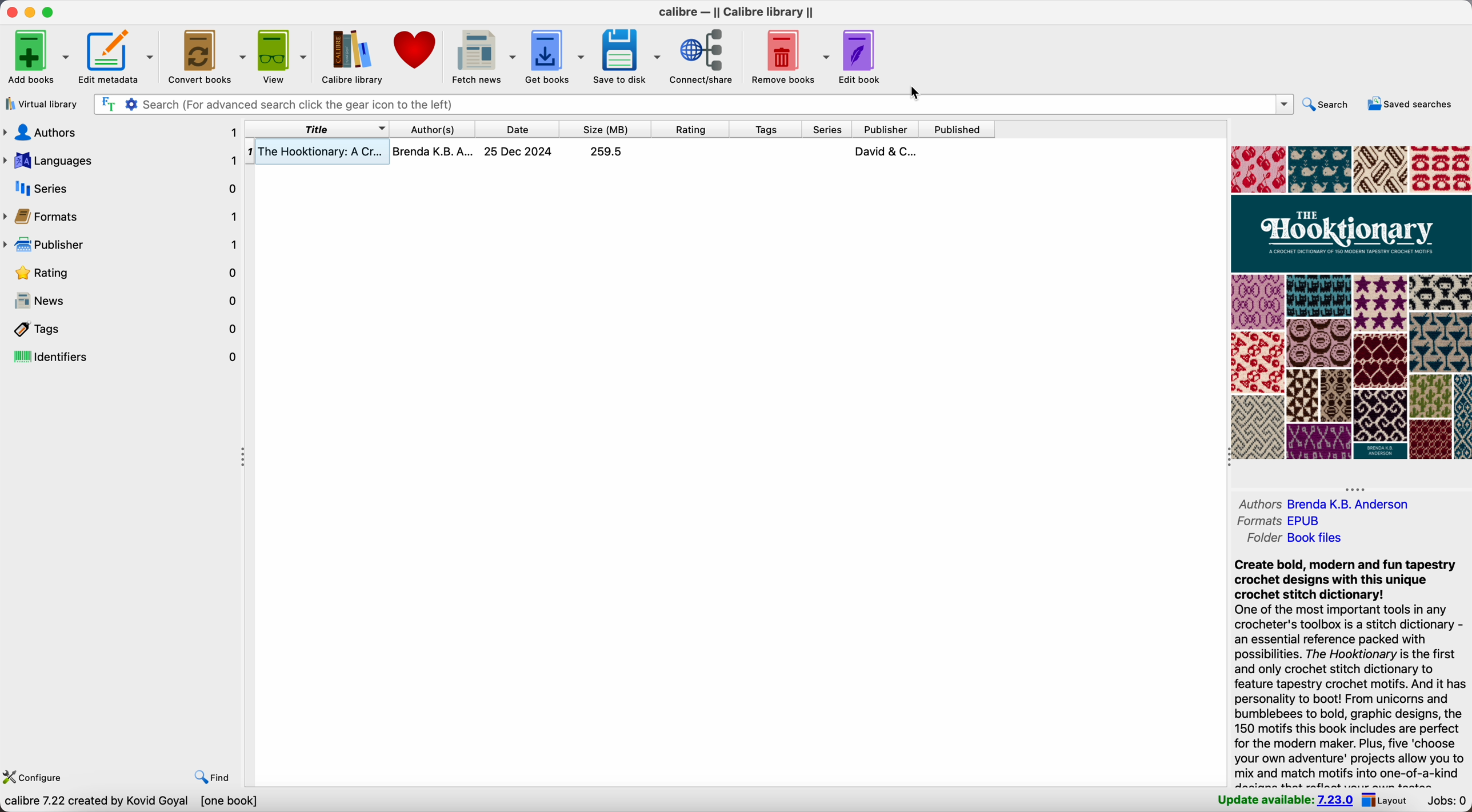 This screenshot has height=812, width=1472. Describe the element at coordinates (281, 55) in the screenshot. I see `view` at that location.